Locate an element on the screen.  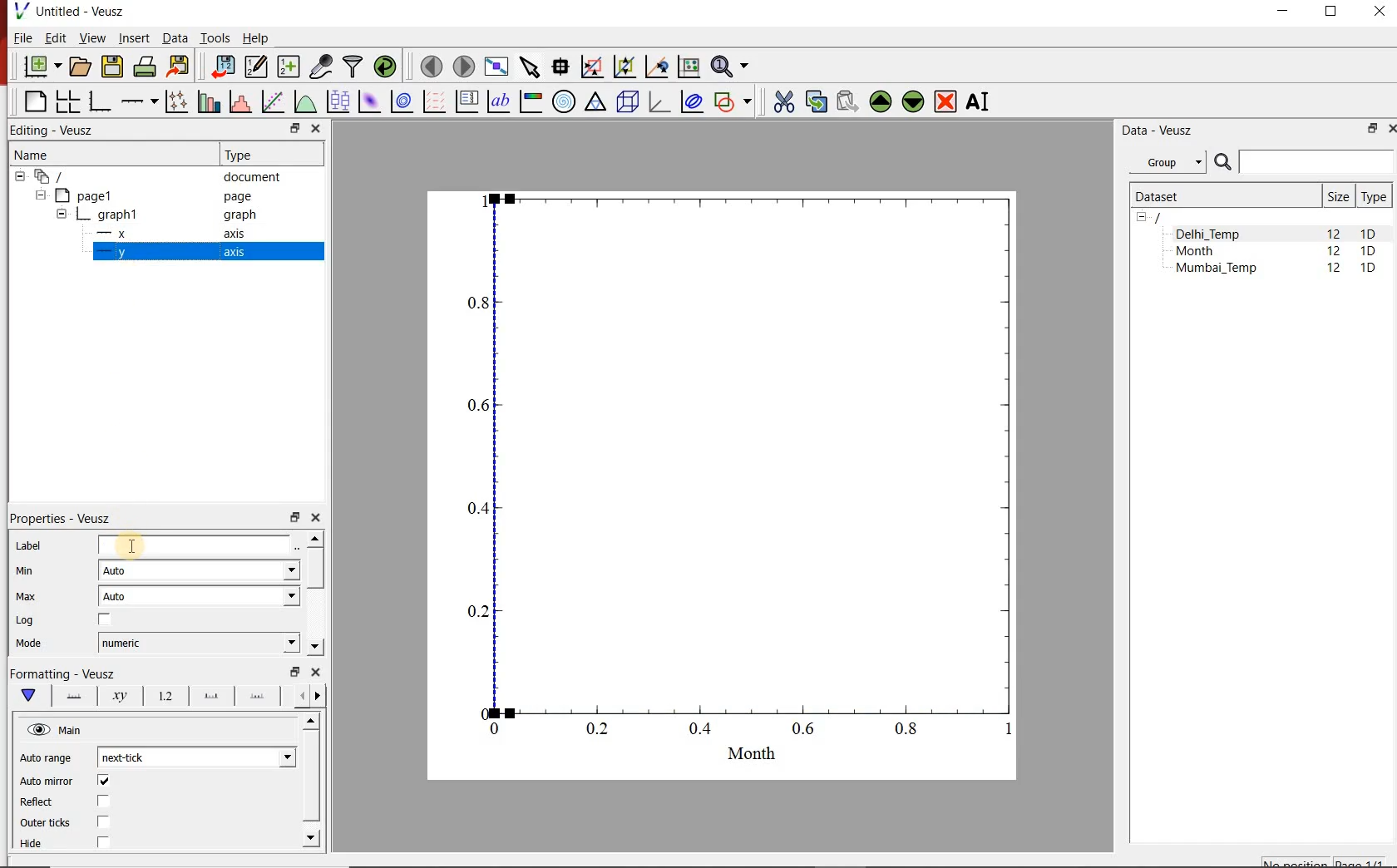
Dataset is located at coordinates (1221, 196).